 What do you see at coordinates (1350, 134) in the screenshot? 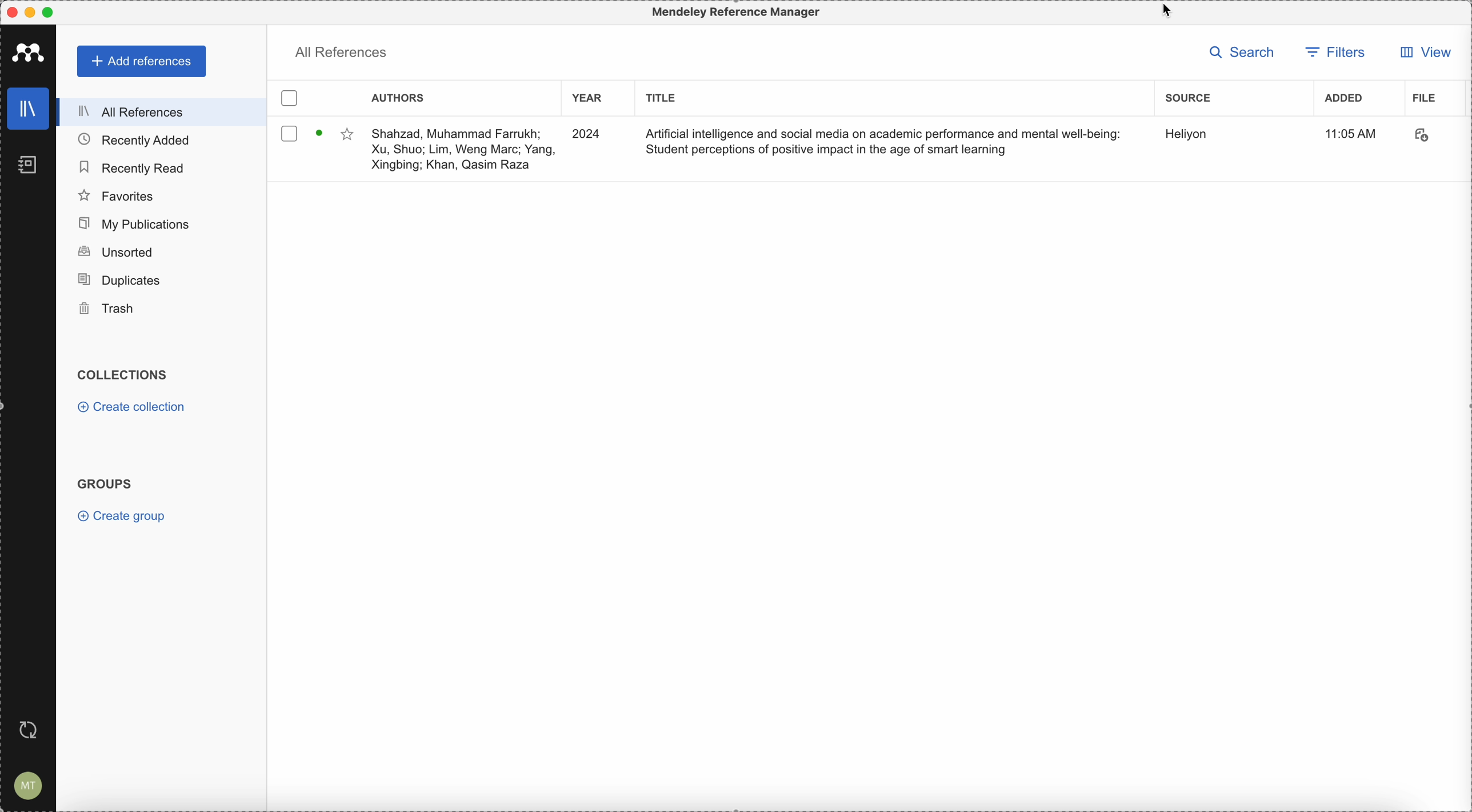
I see `11:05 AM` at bounding box center [1350, 134].